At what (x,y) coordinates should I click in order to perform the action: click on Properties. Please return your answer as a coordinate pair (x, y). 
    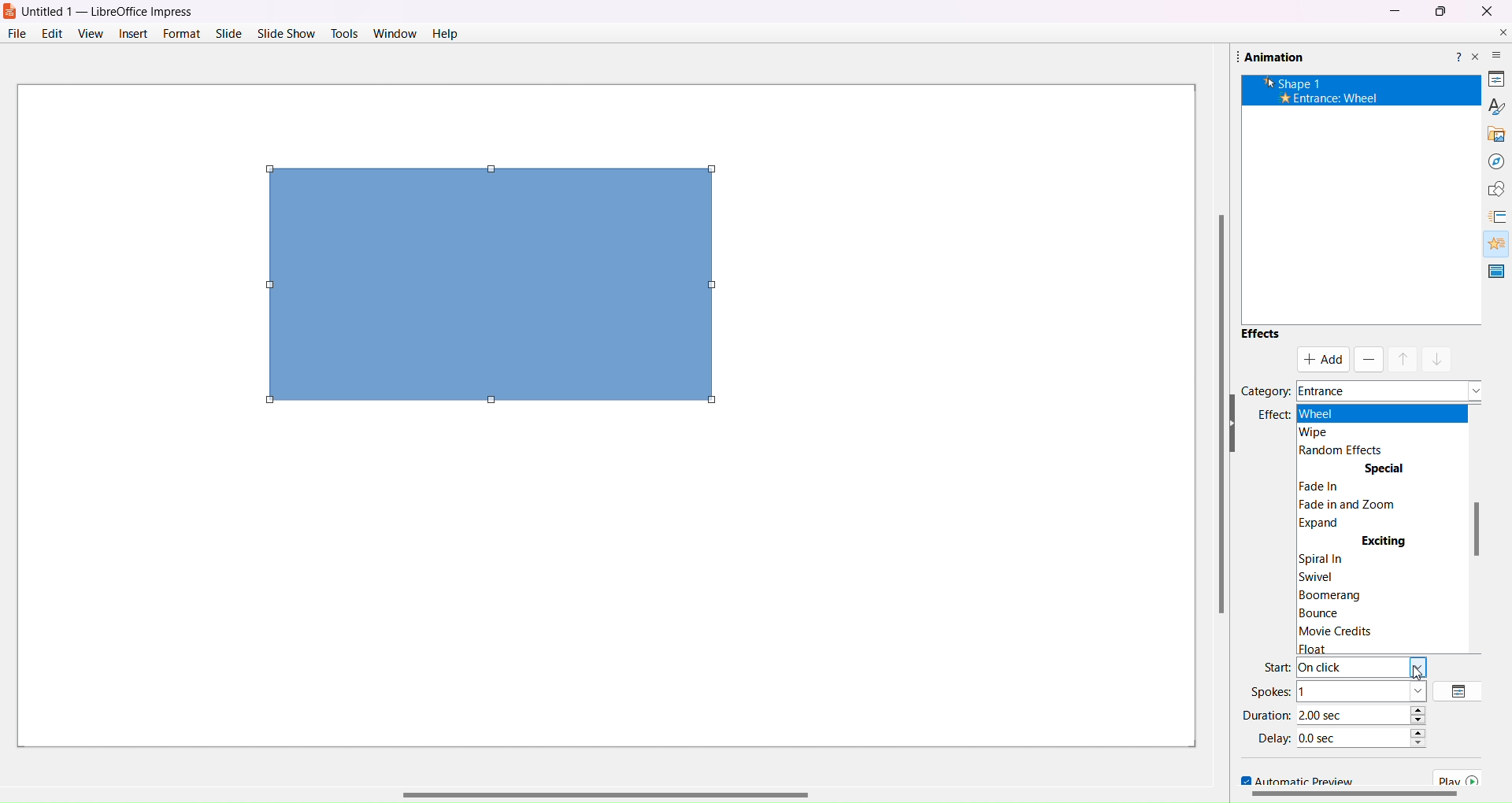
    Looking at the image, I should click on (1489, 76).